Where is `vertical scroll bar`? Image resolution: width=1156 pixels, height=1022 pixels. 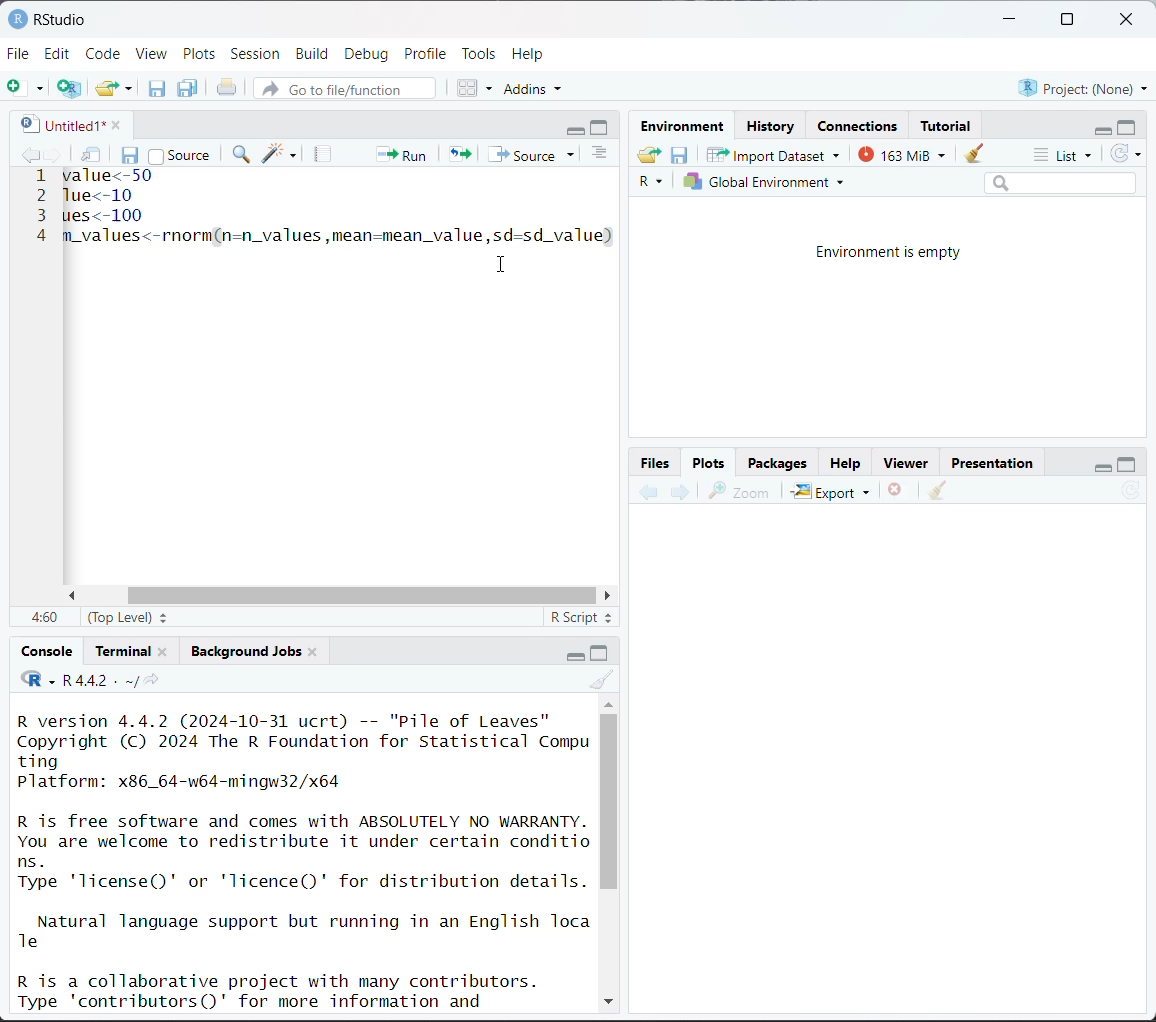
vertical scroll bar is located at coordinates (609, 801).